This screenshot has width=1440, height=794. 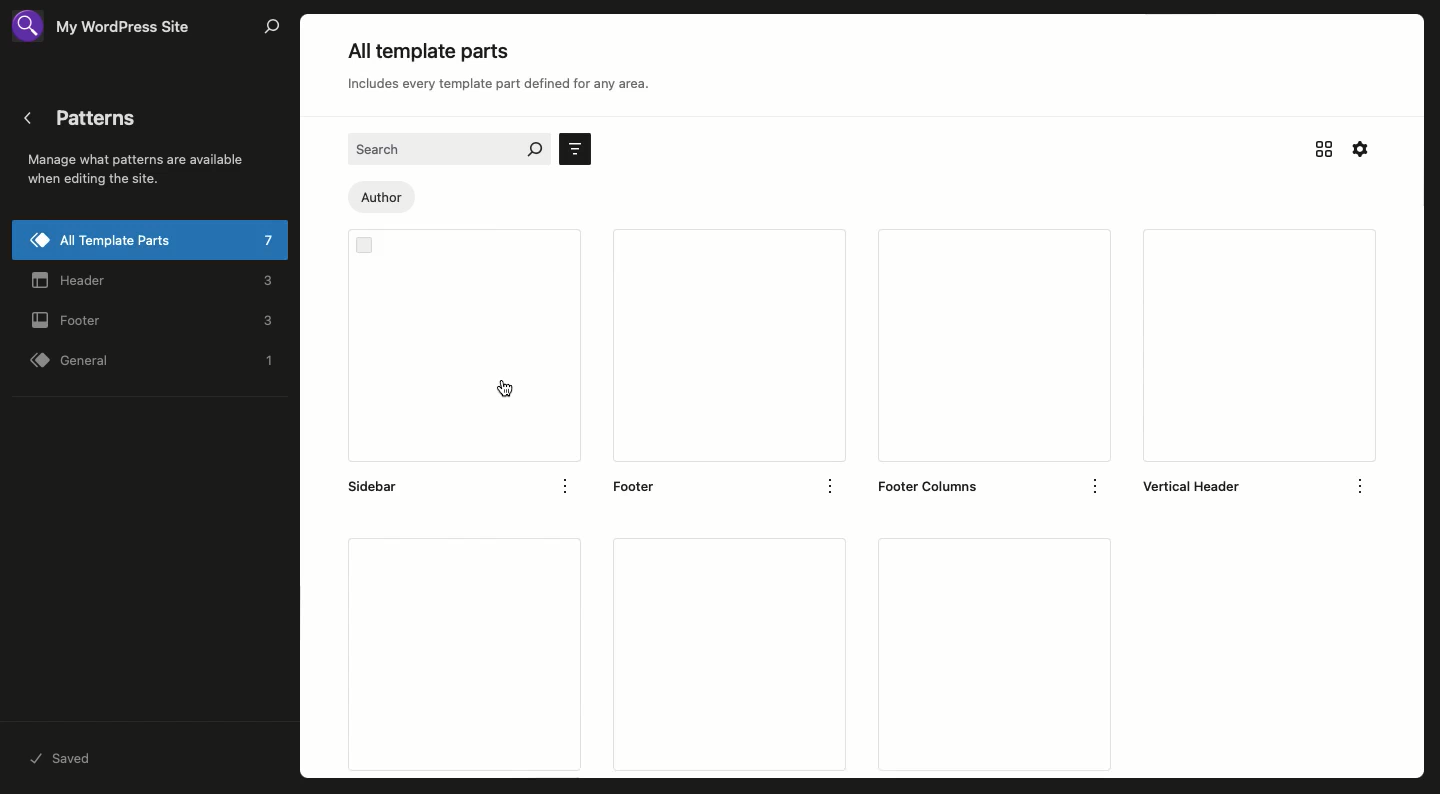 What do you see at coordinates (931, 486) in the screenshot?
I see `footer` at bounding box center [931, 486].